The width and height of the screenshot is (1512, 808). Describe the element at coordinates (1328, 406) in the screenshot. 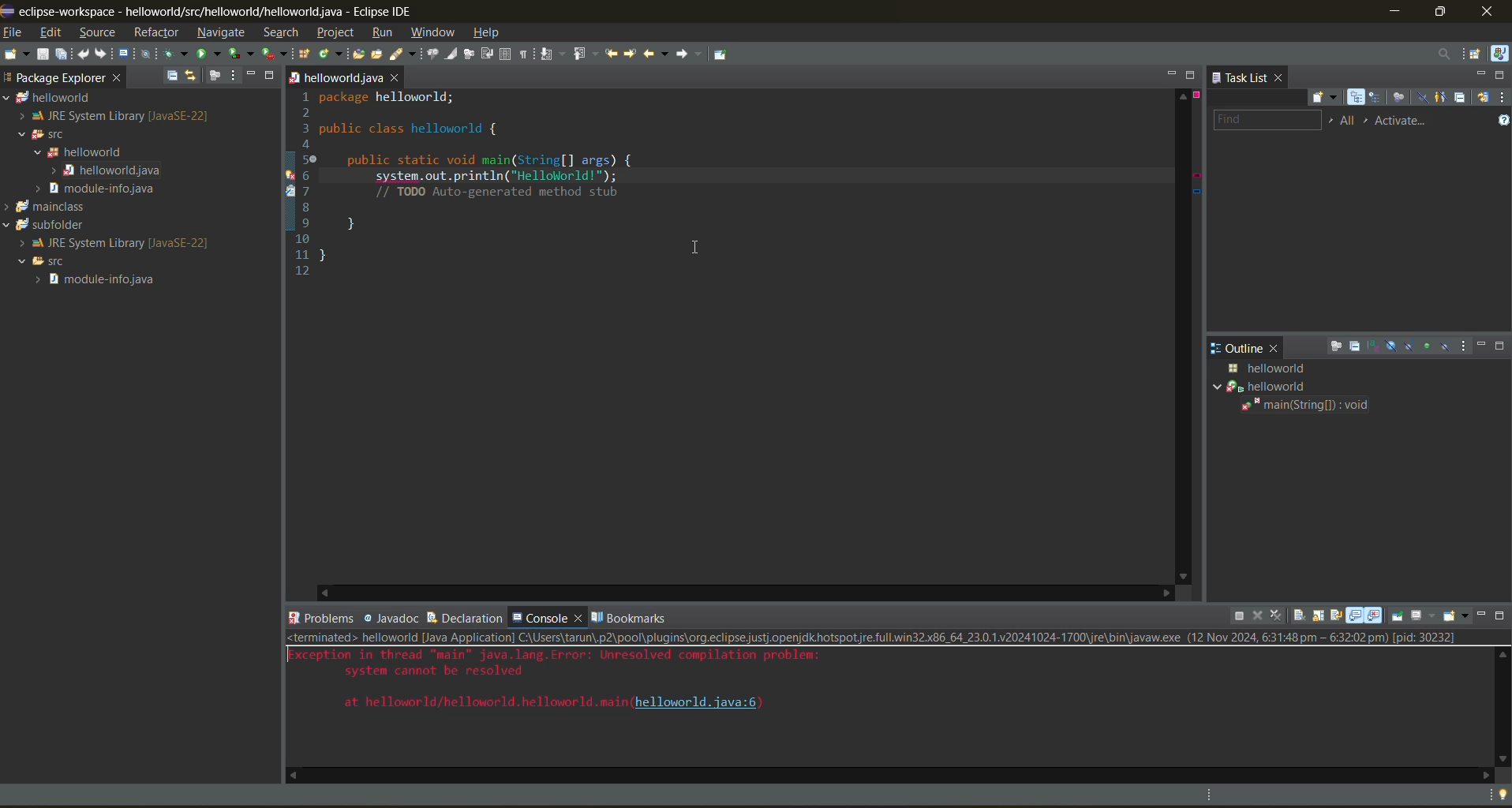

I see `main(string[]:void` at that location.